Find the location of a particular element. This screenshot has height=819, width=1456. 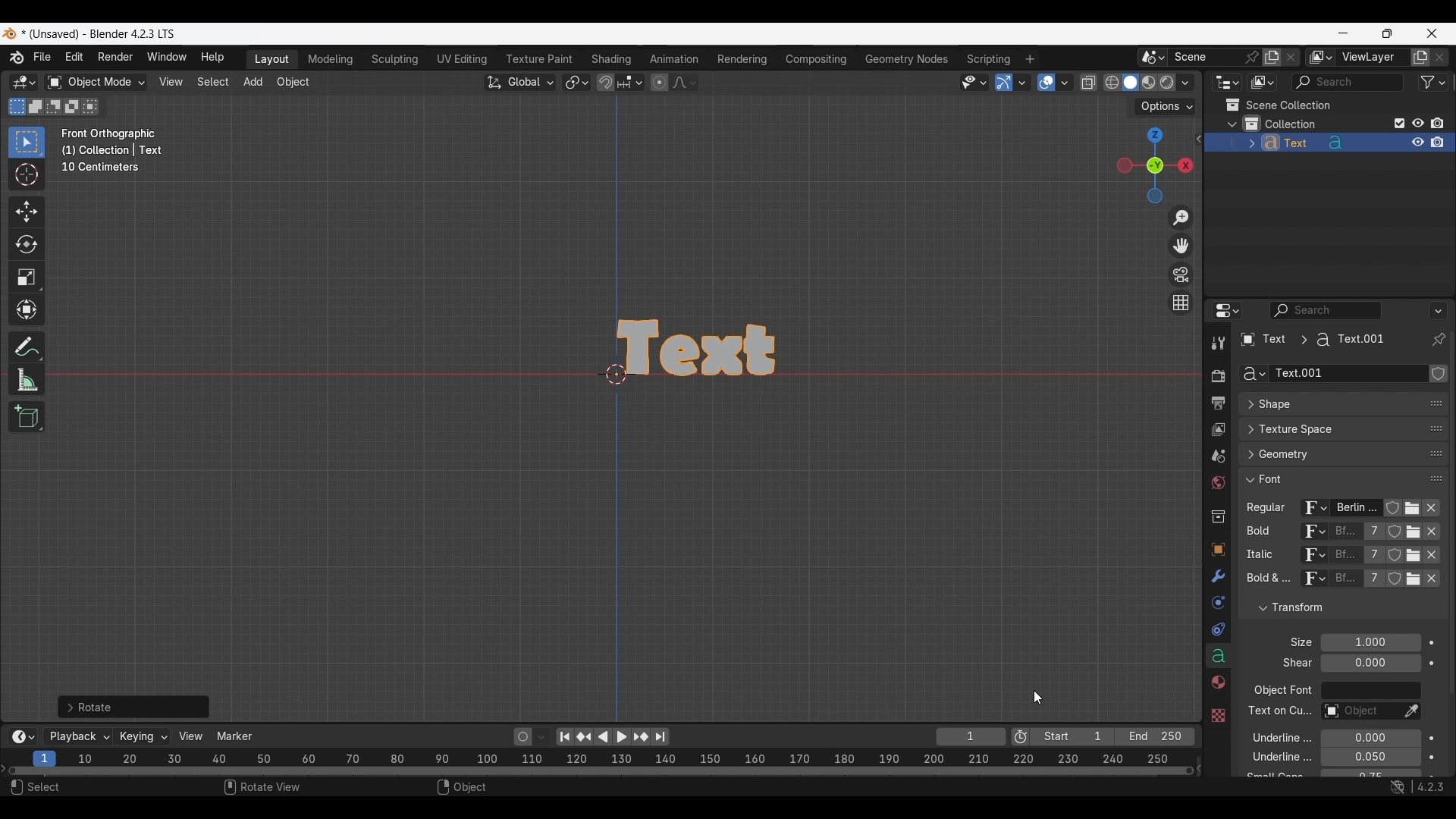

Click to collapse Font is located at coordinates (1328, 479).